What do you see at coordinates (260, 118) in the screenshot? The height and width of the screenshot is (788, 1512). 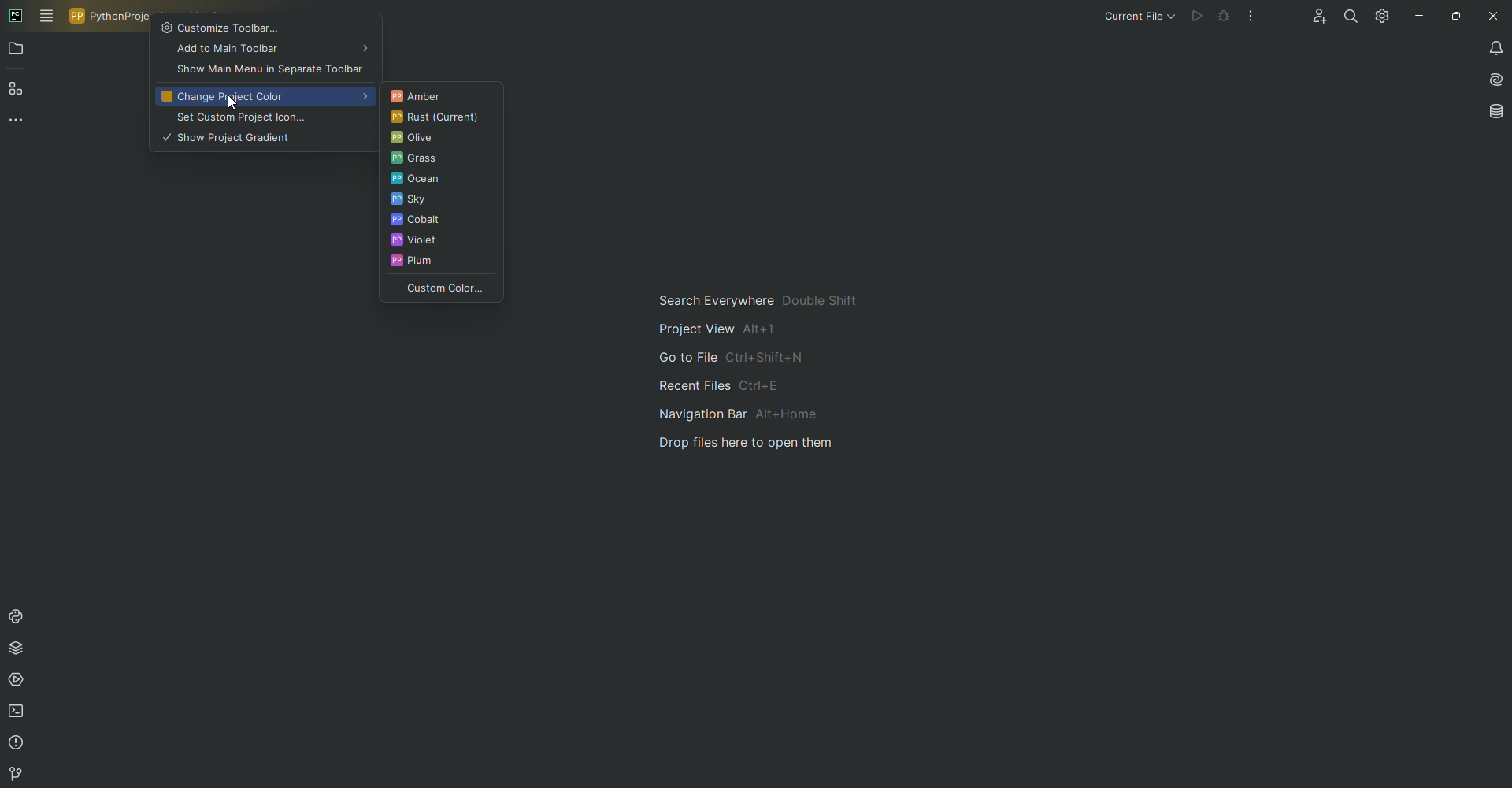 I see `Set Custom Icon` at bounding box center [260, 118].